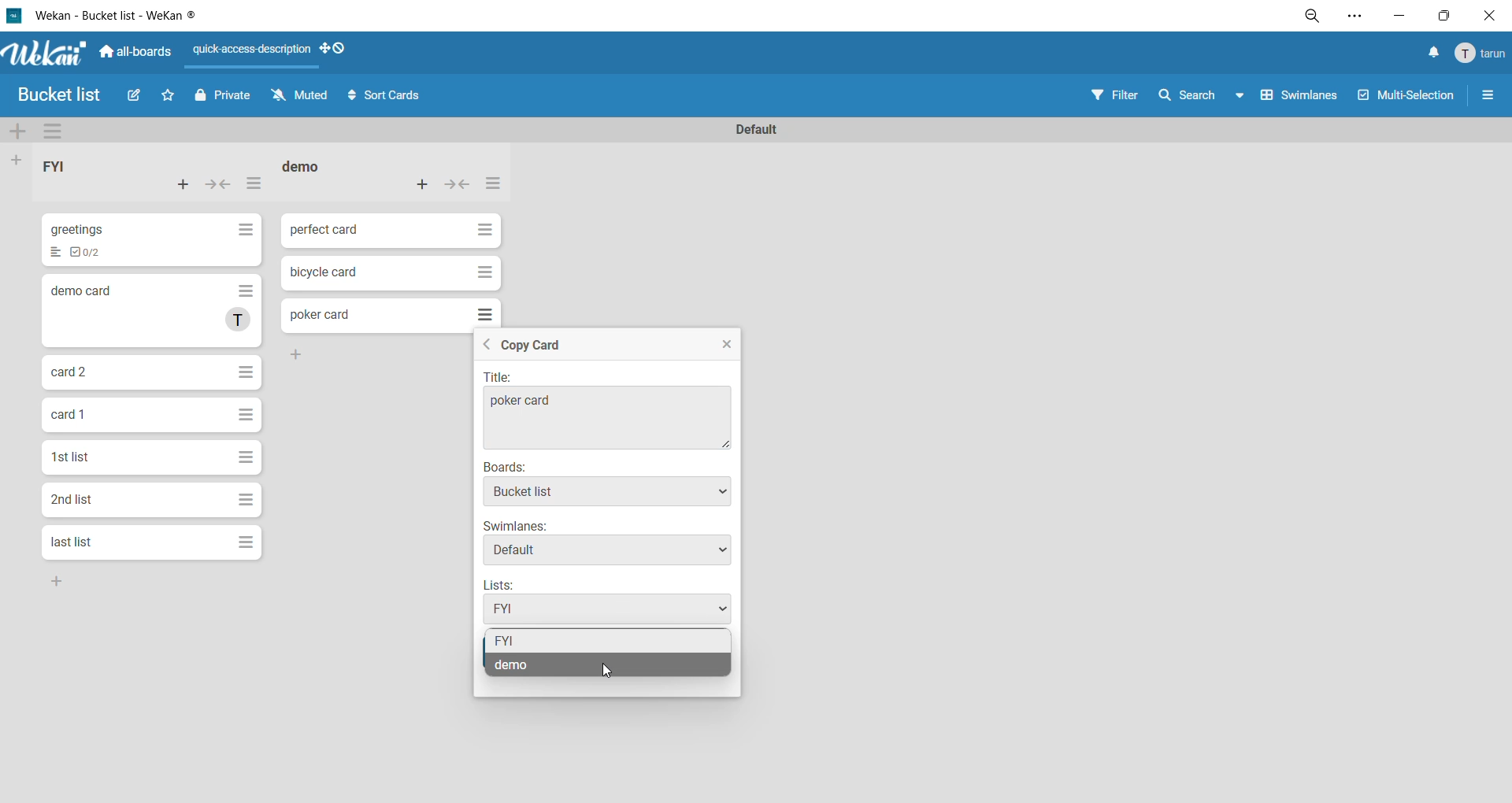 The height and width of the screenshot is (803, 1512). I want to click on search, so click(1206, 94).